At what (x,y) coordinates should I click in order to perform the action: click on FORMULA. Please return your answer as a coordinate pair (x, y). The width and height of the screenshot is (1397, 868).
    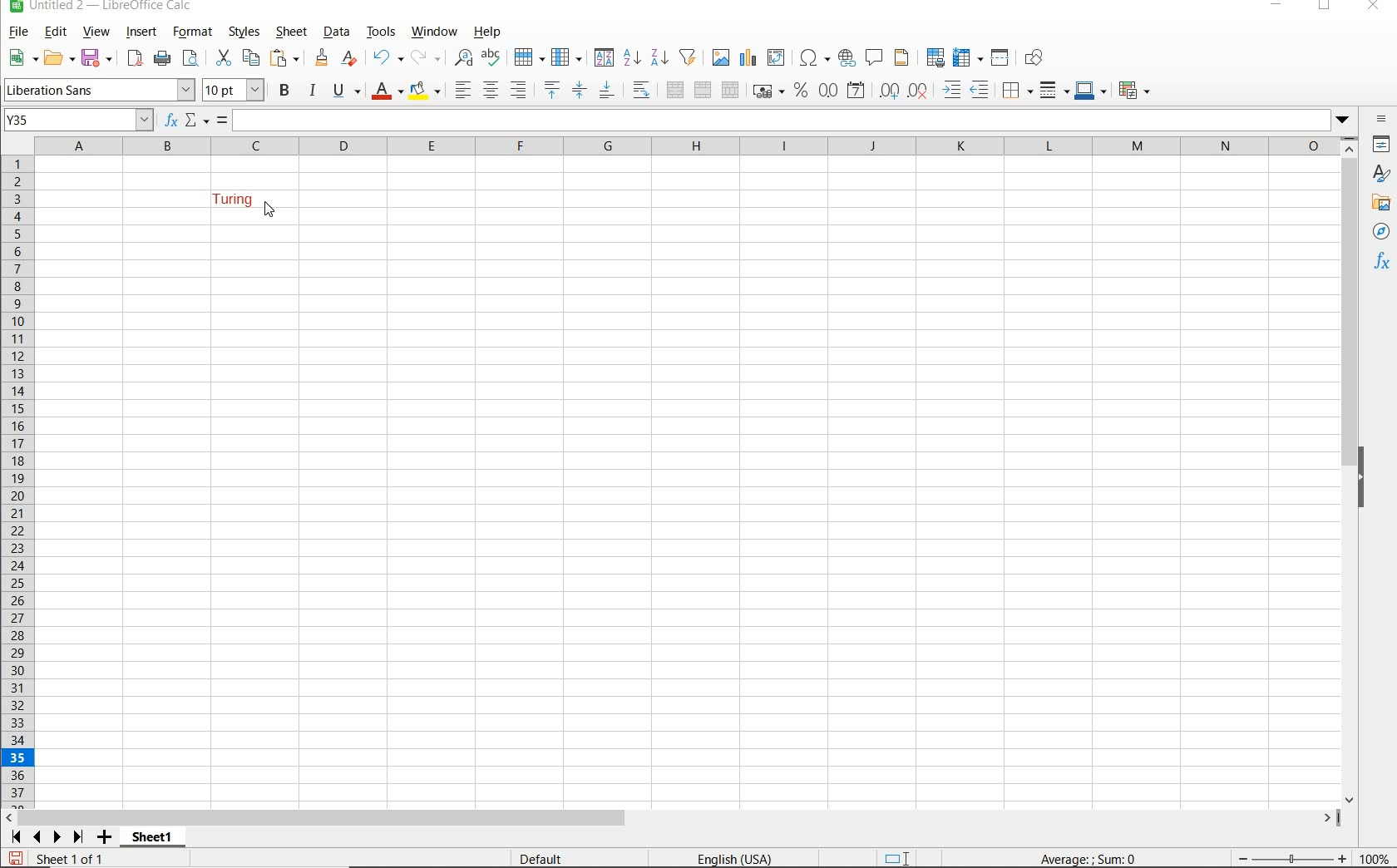
    Looking at the image, I should click on (1084, 860).